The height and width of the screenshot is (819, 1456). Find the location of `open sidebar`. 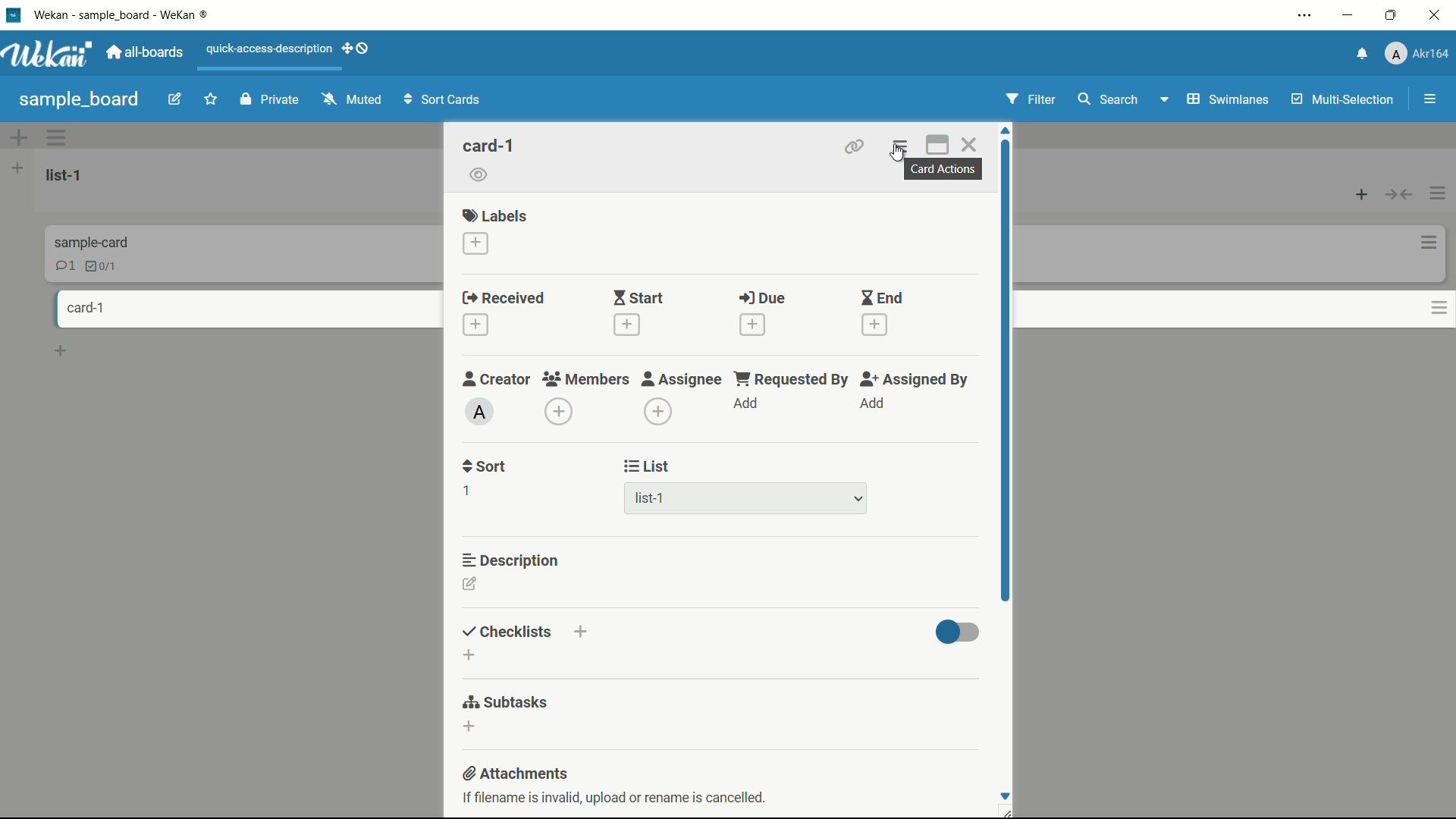

open sidebar is located at coordinates (1423, 99).